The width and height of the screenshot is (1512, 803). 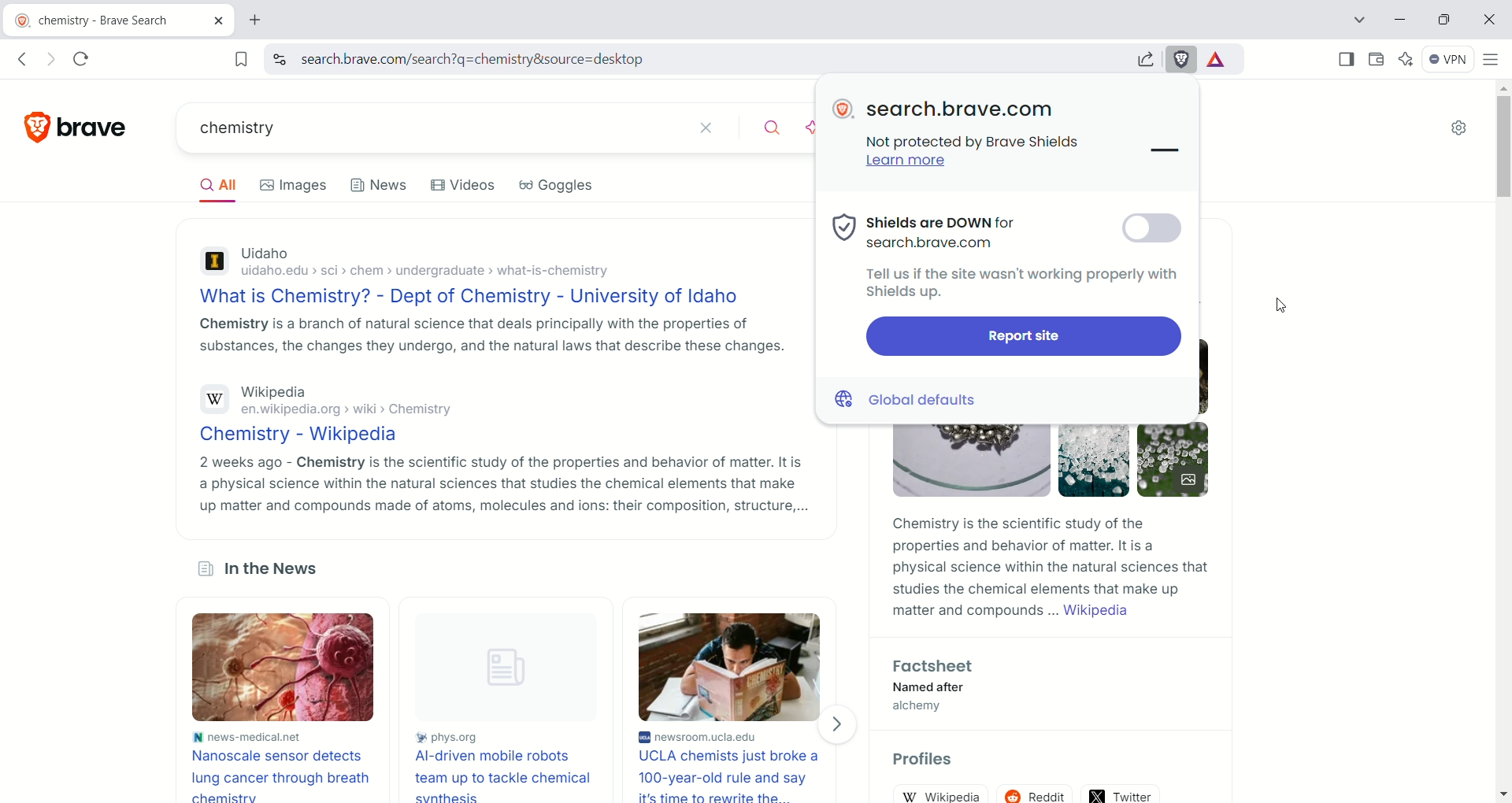 What do you see at coordinates (284, 774) in the screenshot?
I see `nanoscale sensor detects lung cancer through breath chemistry` at bounding box center [284, 774].